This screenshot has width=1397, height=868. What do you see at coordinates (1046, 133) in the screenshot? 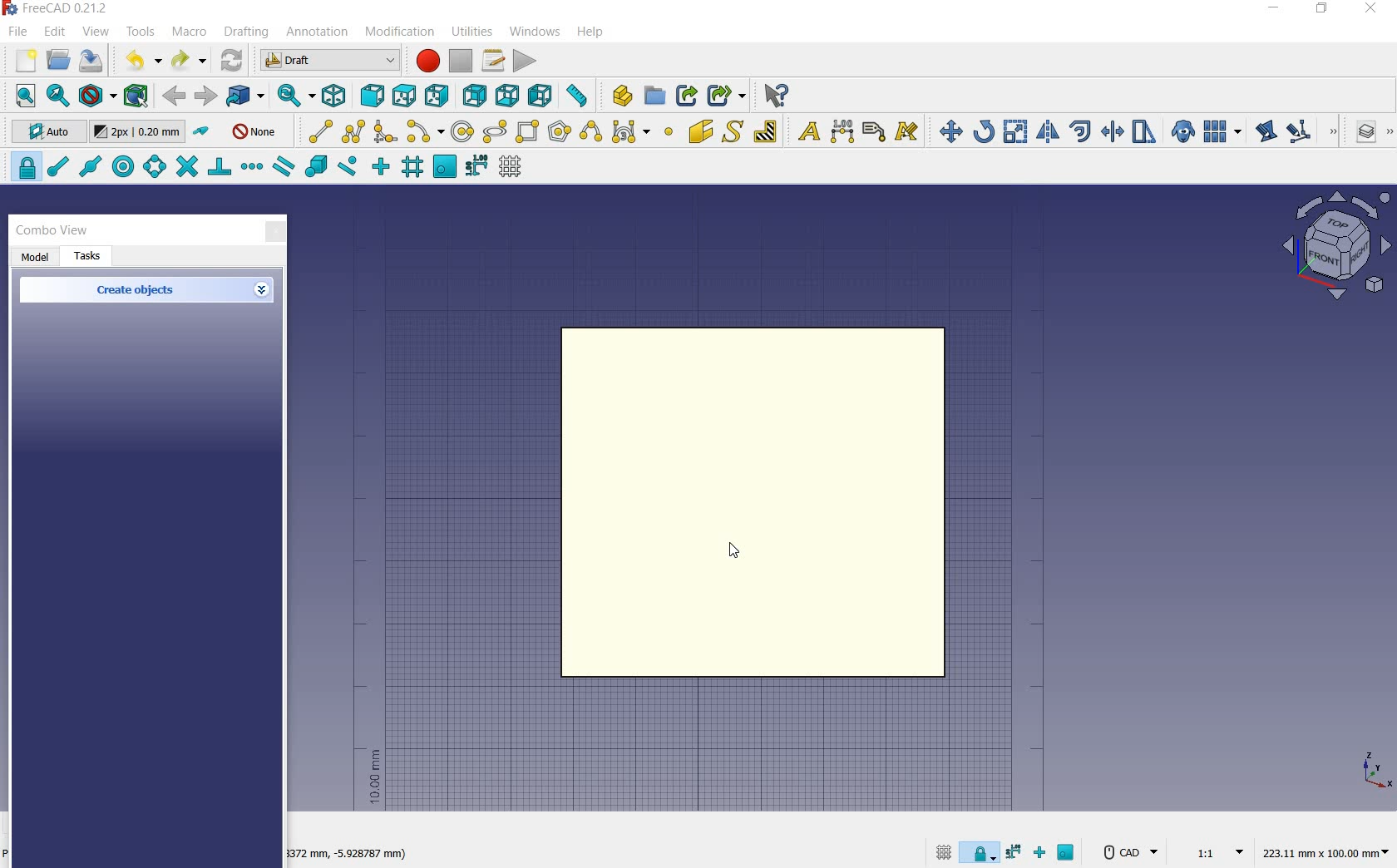
I see `mirror` at bounding box center [1046, 133].